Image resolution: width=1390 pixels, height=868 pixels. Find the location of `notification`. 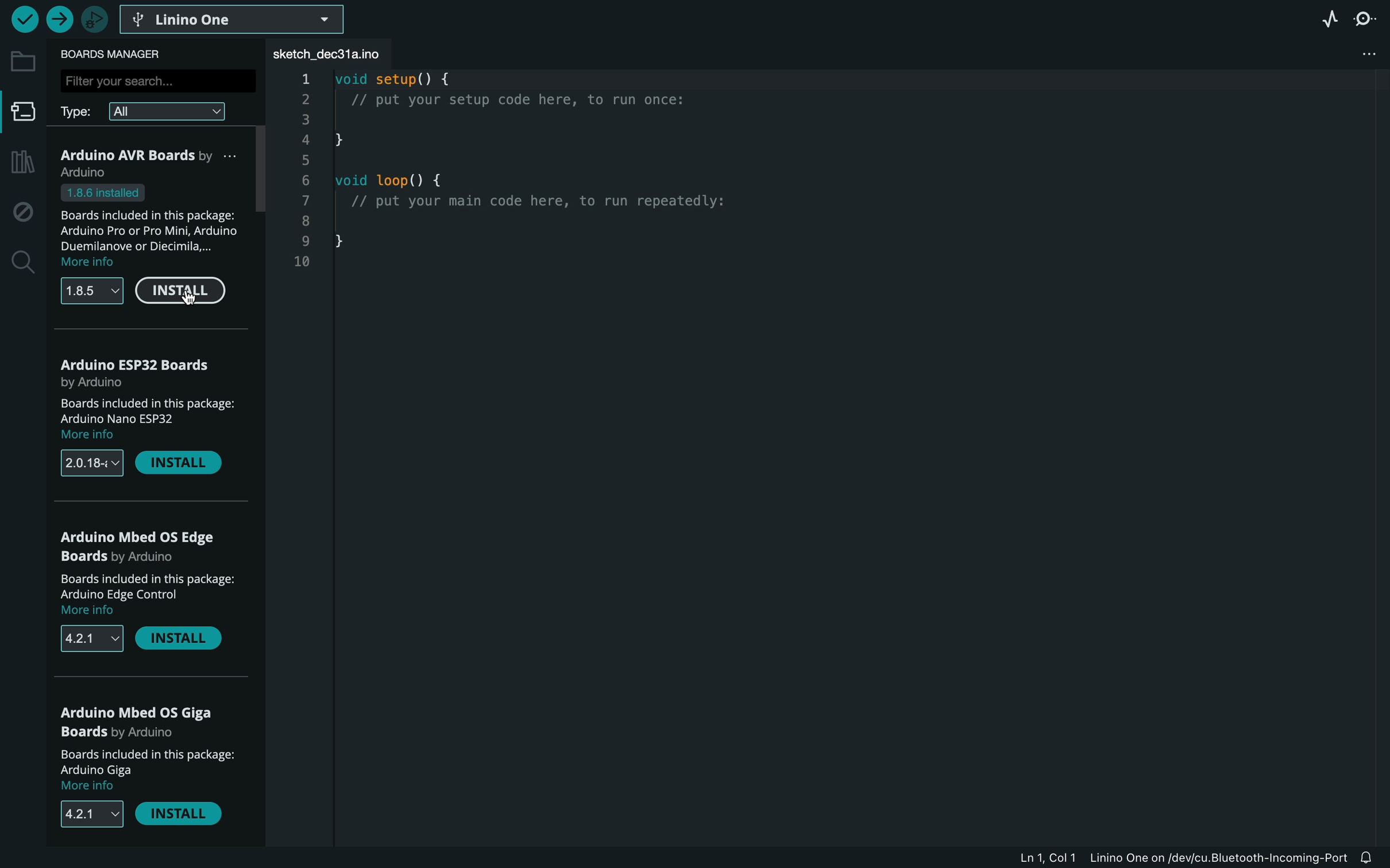

notification is located at coordinates (1374, 858).